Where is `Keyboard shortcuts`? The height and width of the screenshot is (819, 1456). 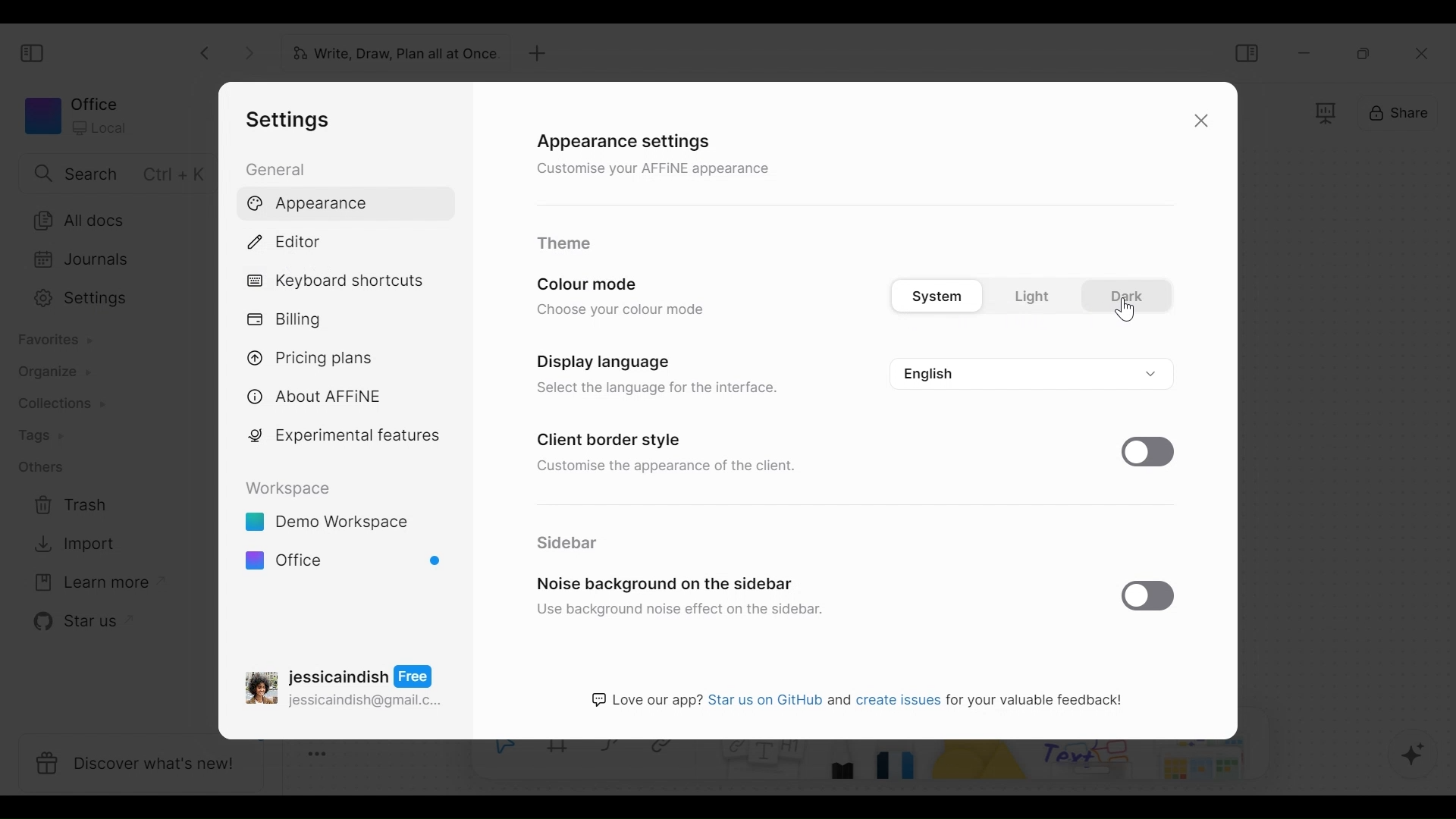 Keyboard shortcuts is located at coordinates (333, 282).